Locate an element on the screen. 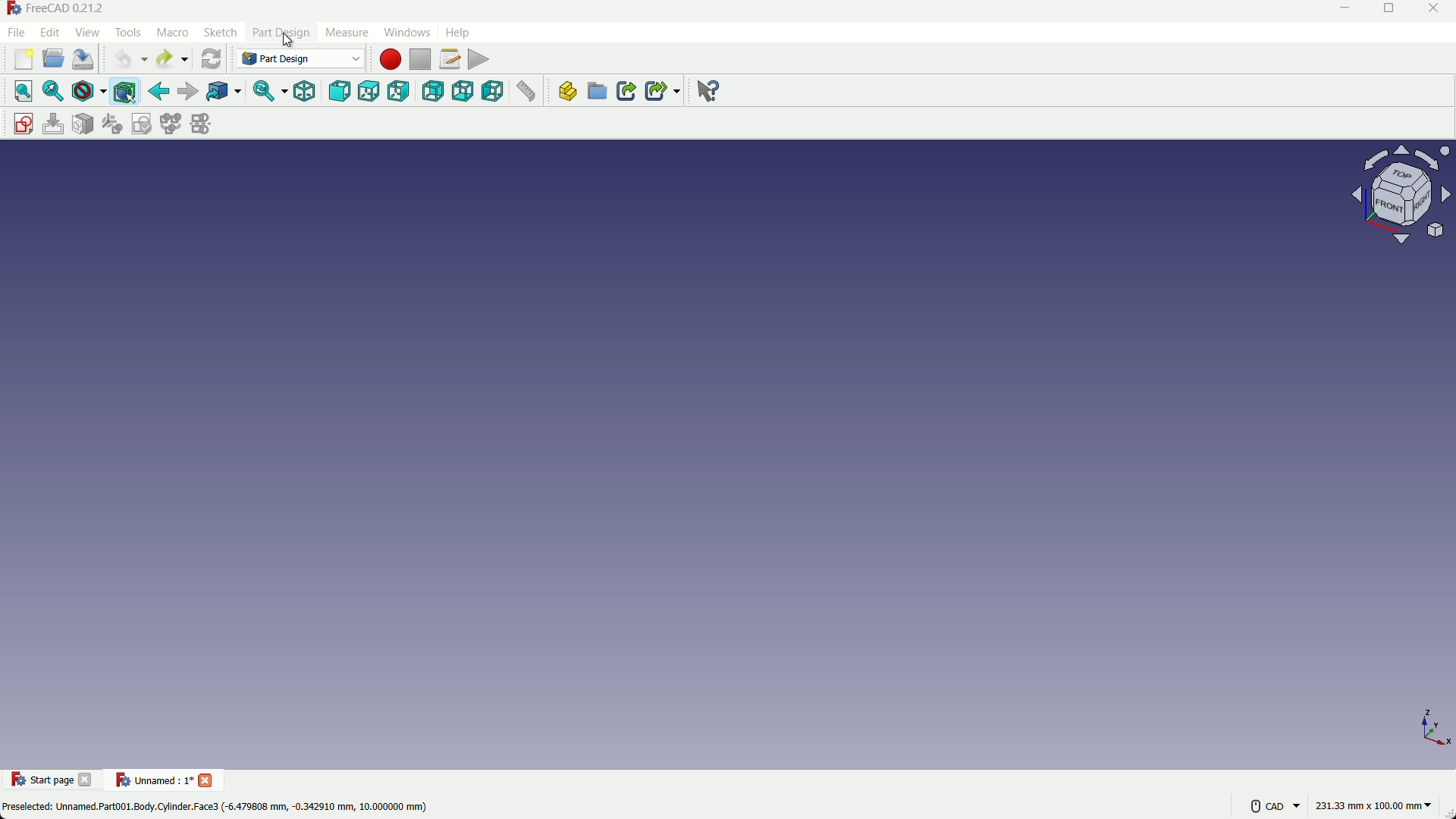 The height and width of the screenshot is (819, 1456). help menu is located at coordinates (457, 33).